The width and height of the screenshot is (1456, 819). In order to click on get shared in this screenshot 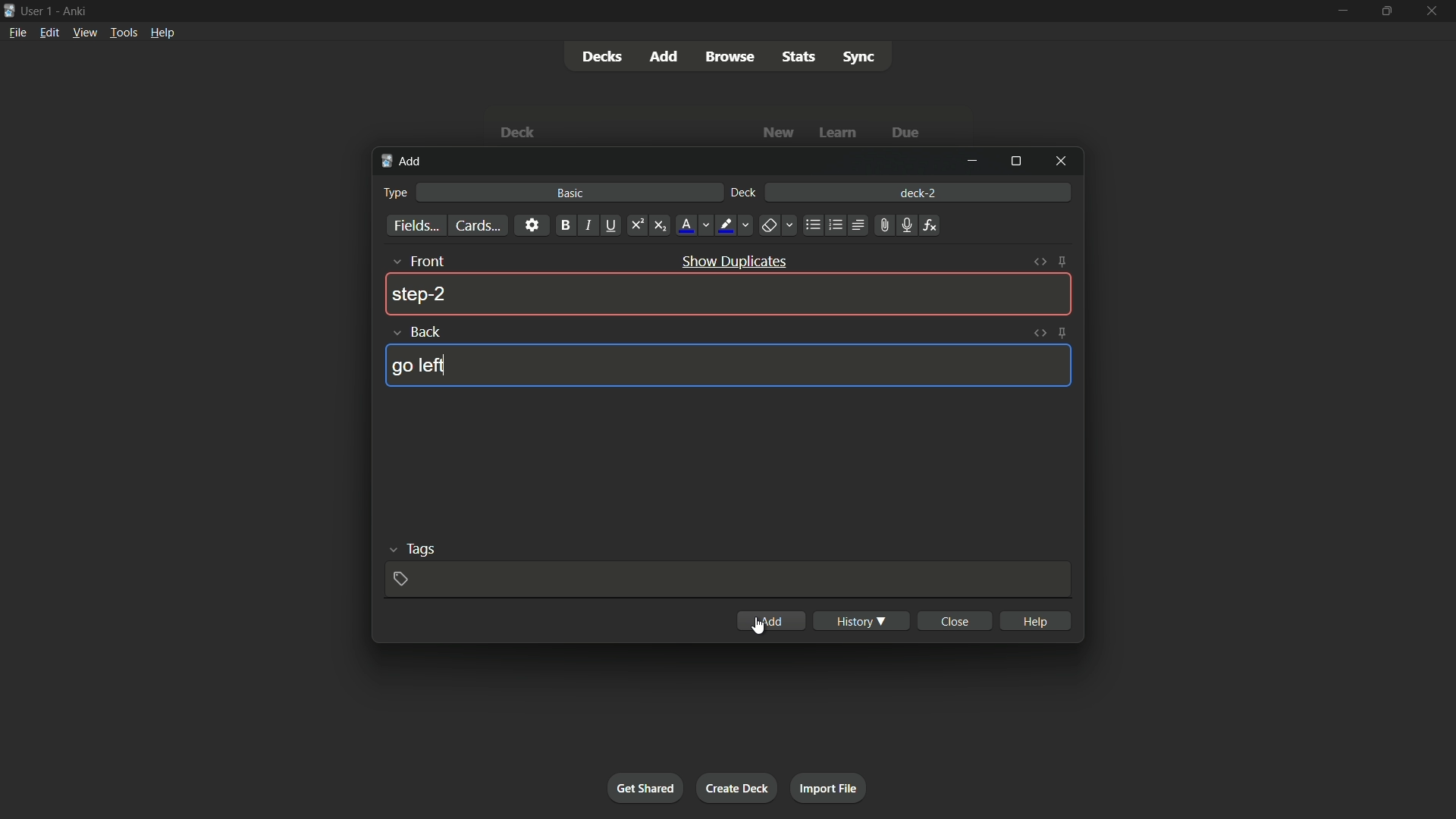, I will do `click(647, 788)`.